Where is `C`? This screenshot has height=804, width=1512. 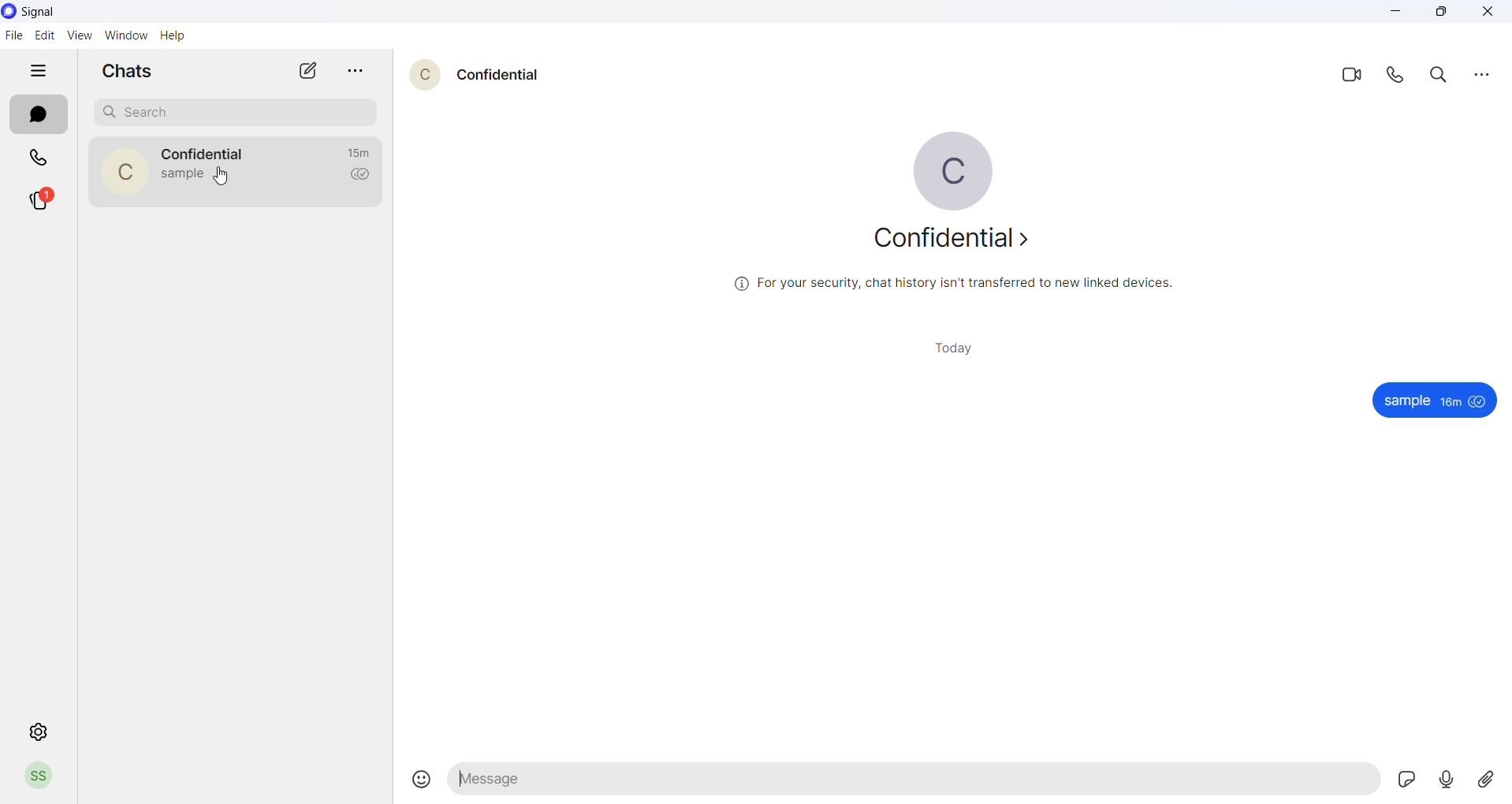
C is located at coordinates (957, 168).